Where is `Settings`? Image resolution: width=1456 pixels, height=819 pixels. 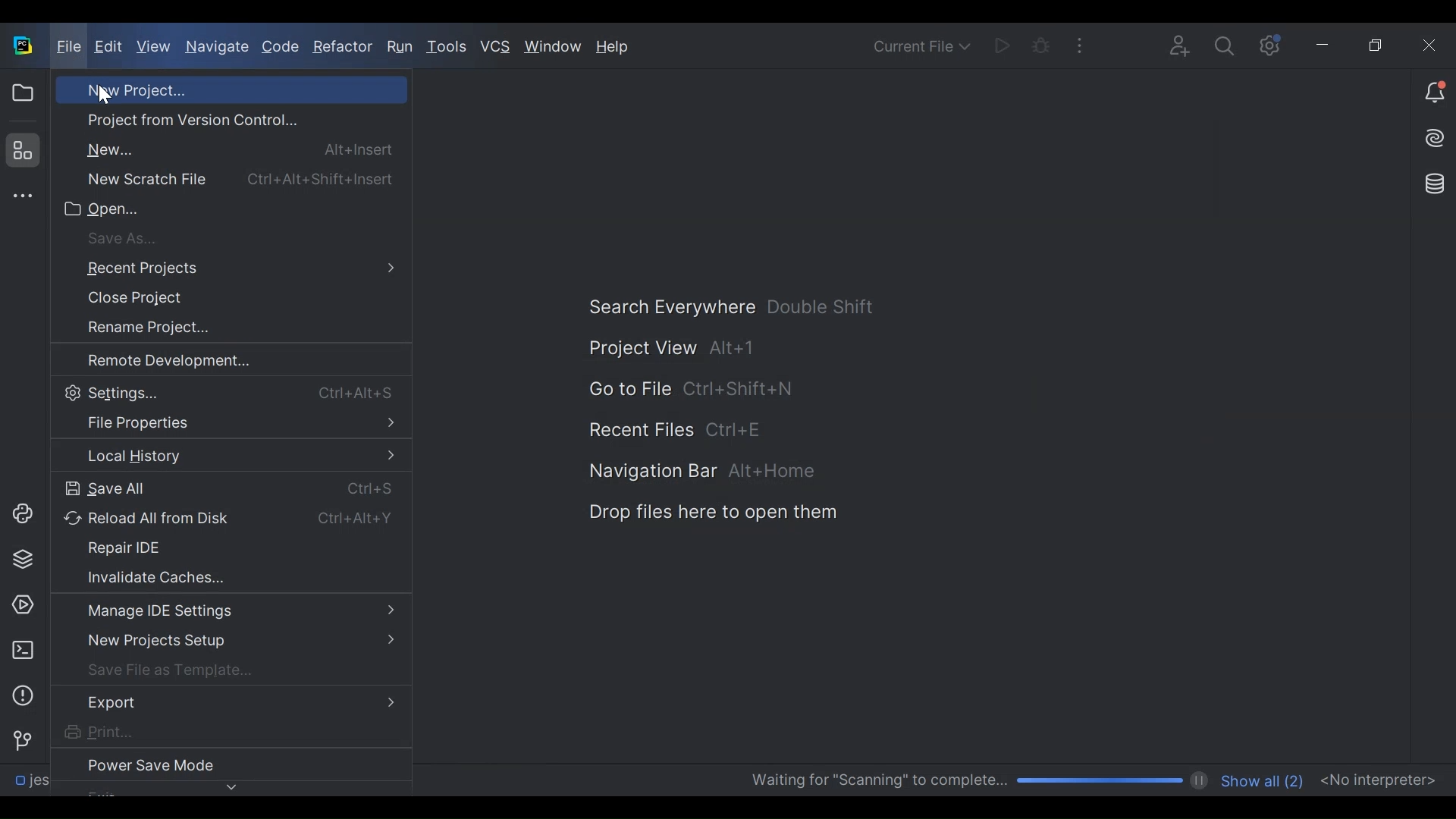
Settings is located at coordinates (1270, 47).